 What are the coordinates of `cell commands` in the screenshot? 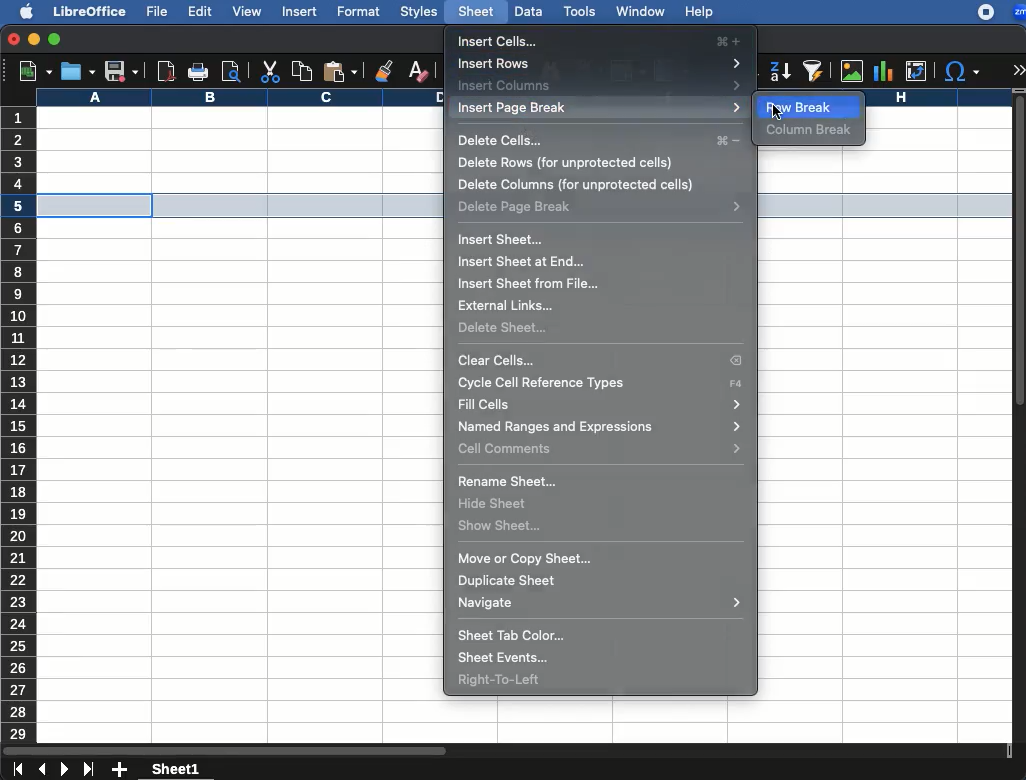 It's located at (601, 450).